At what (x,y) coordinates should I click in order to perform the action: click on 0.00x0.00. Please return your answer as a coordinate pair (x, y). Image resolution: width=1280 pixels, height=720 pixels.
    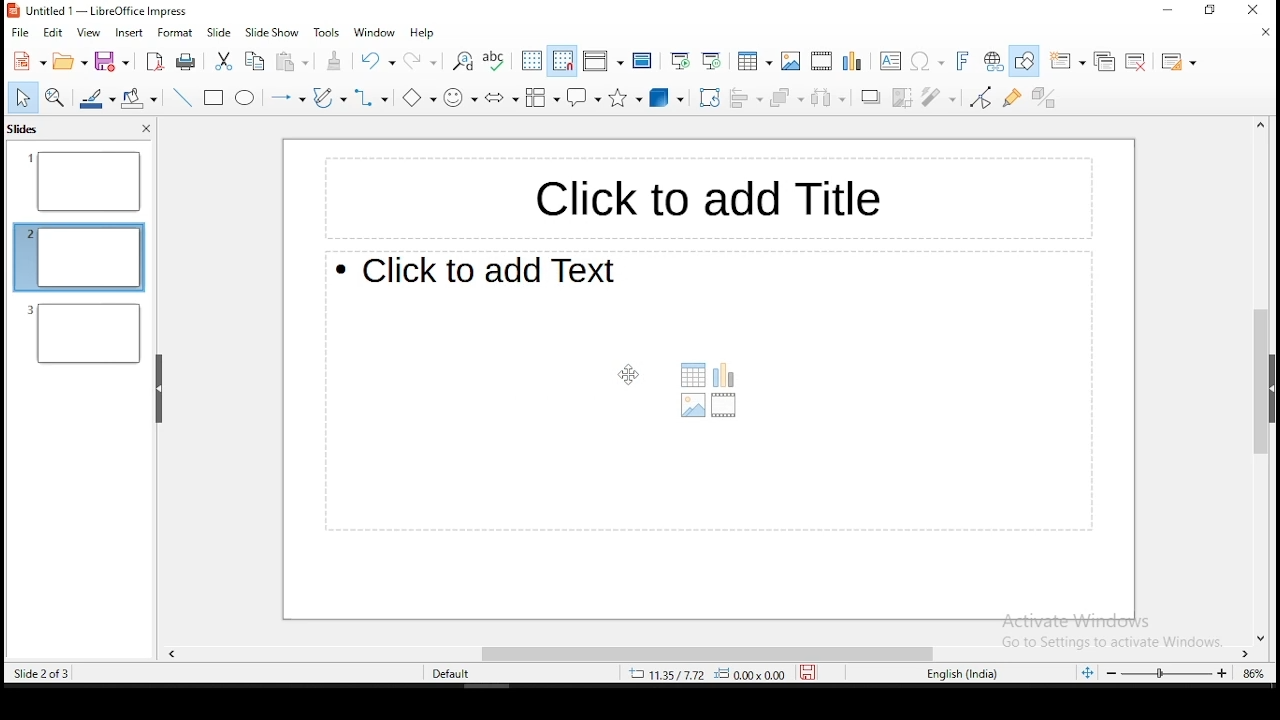
    Looking at the image, I should click on (756, 675).